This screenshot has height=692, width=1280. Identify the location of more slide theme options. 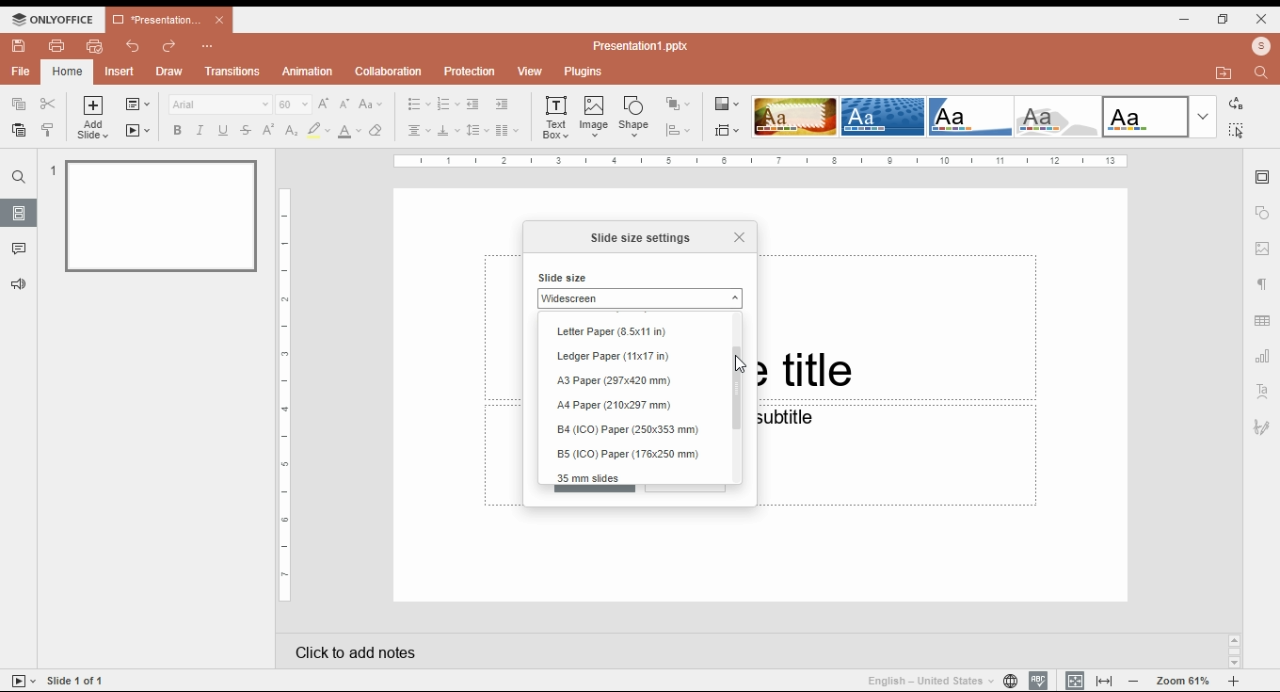
(1203, 117).